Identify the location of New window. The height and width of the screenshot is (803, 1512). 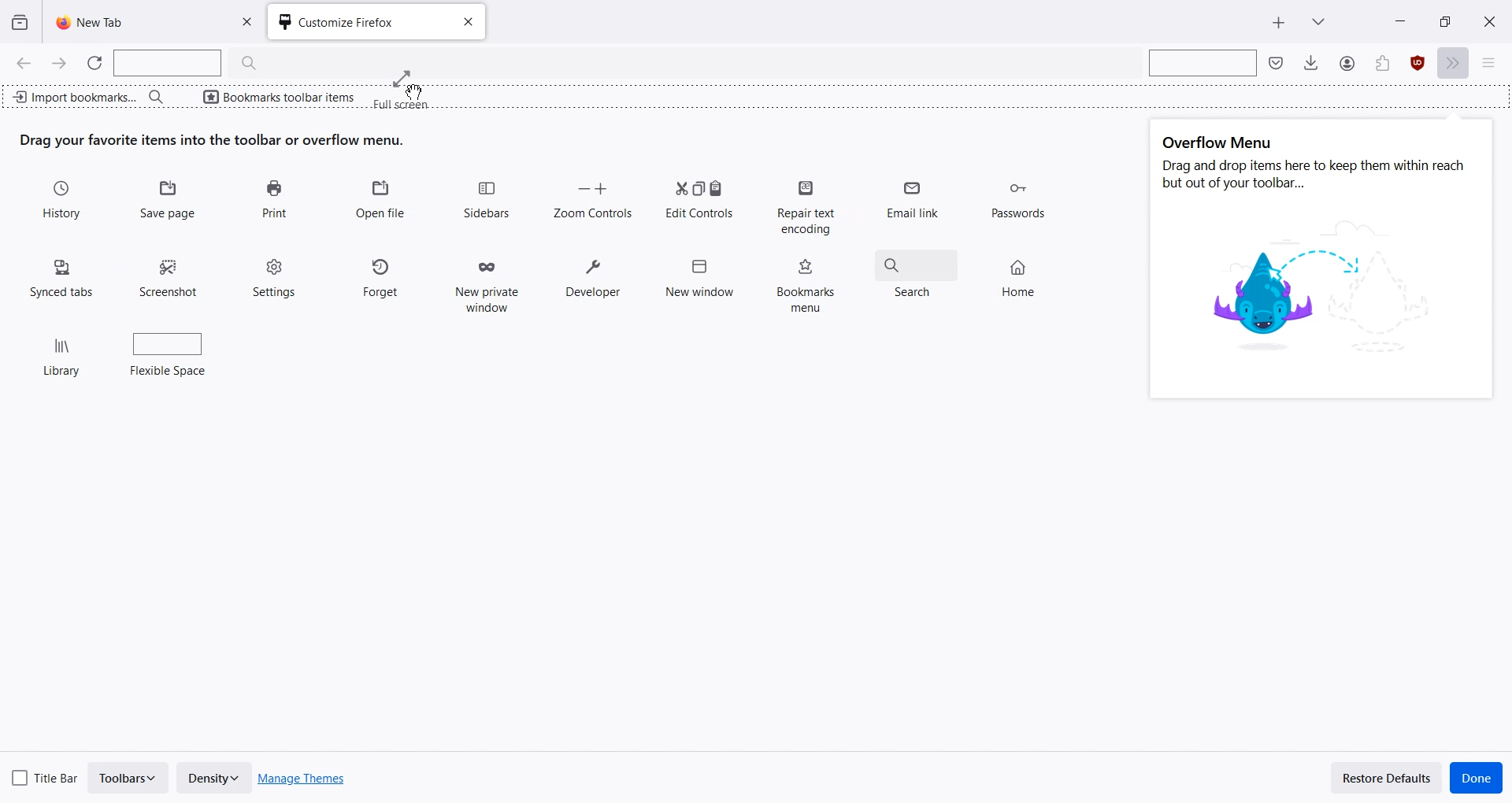
(699, 273).